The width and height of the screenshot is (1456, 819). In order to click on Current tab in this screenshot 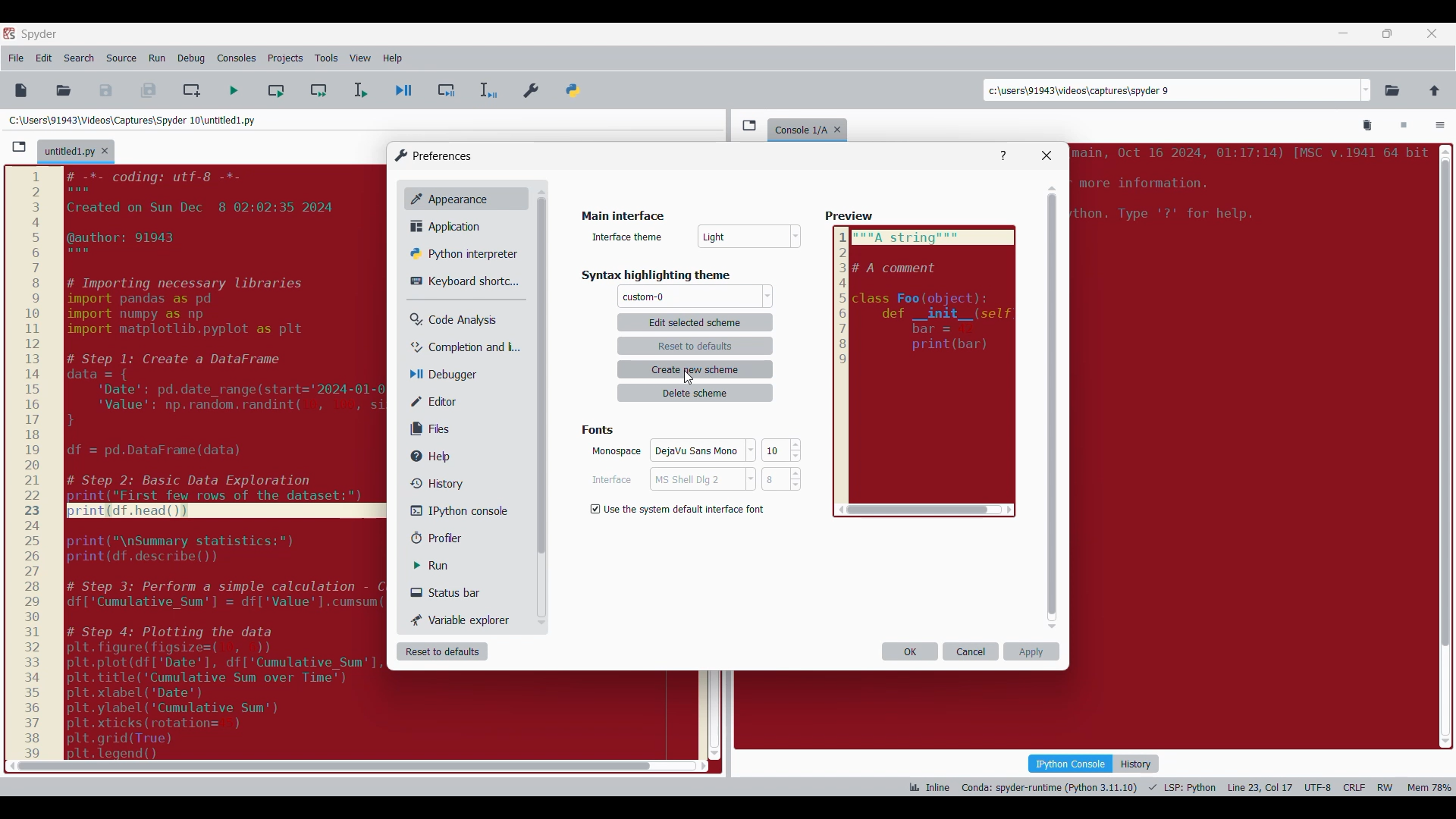, I will do `click(69, 152)`.